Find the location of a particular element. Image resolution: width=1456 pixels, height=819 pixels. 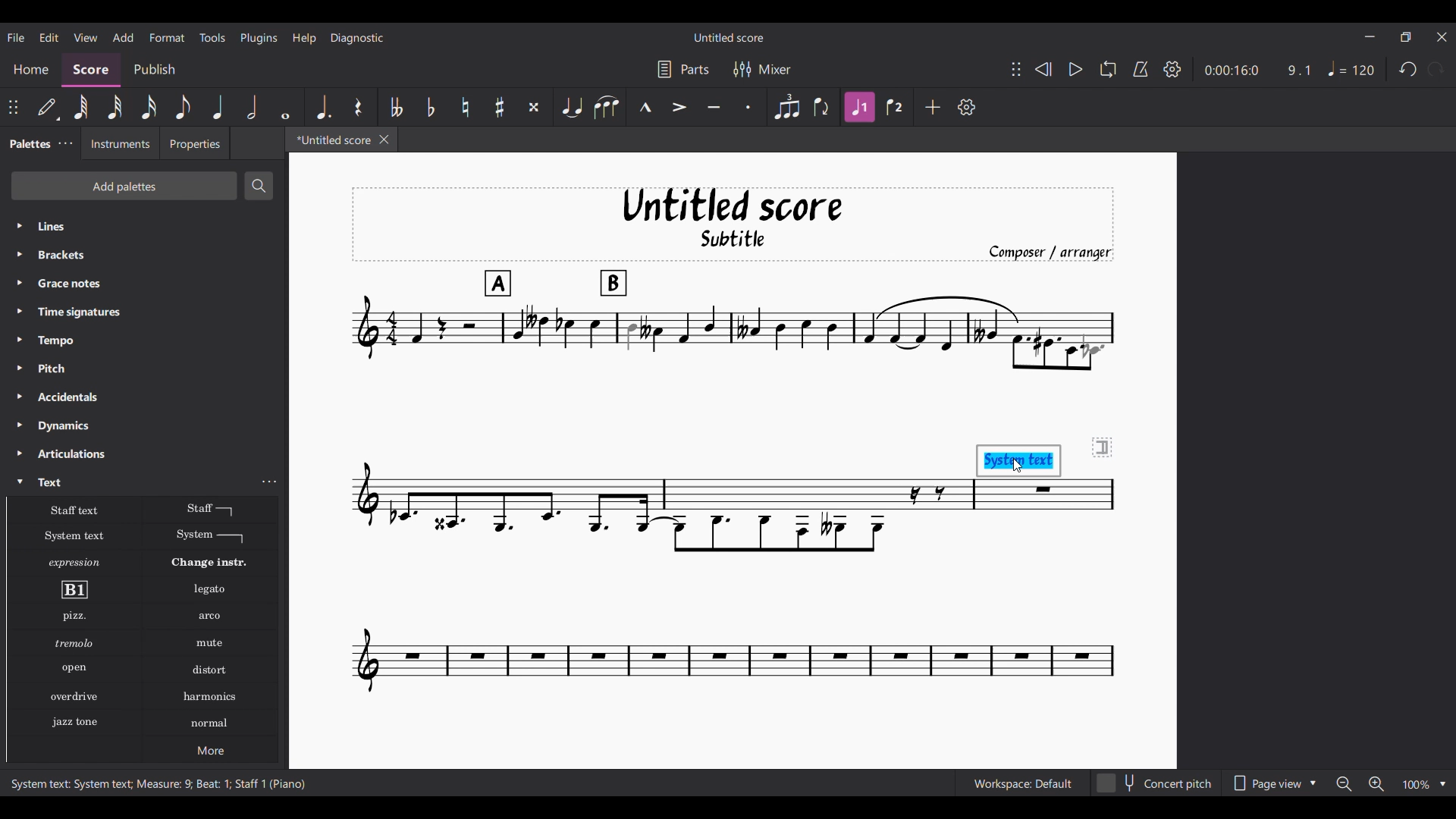

View menu is located at coordinates (86, 38).